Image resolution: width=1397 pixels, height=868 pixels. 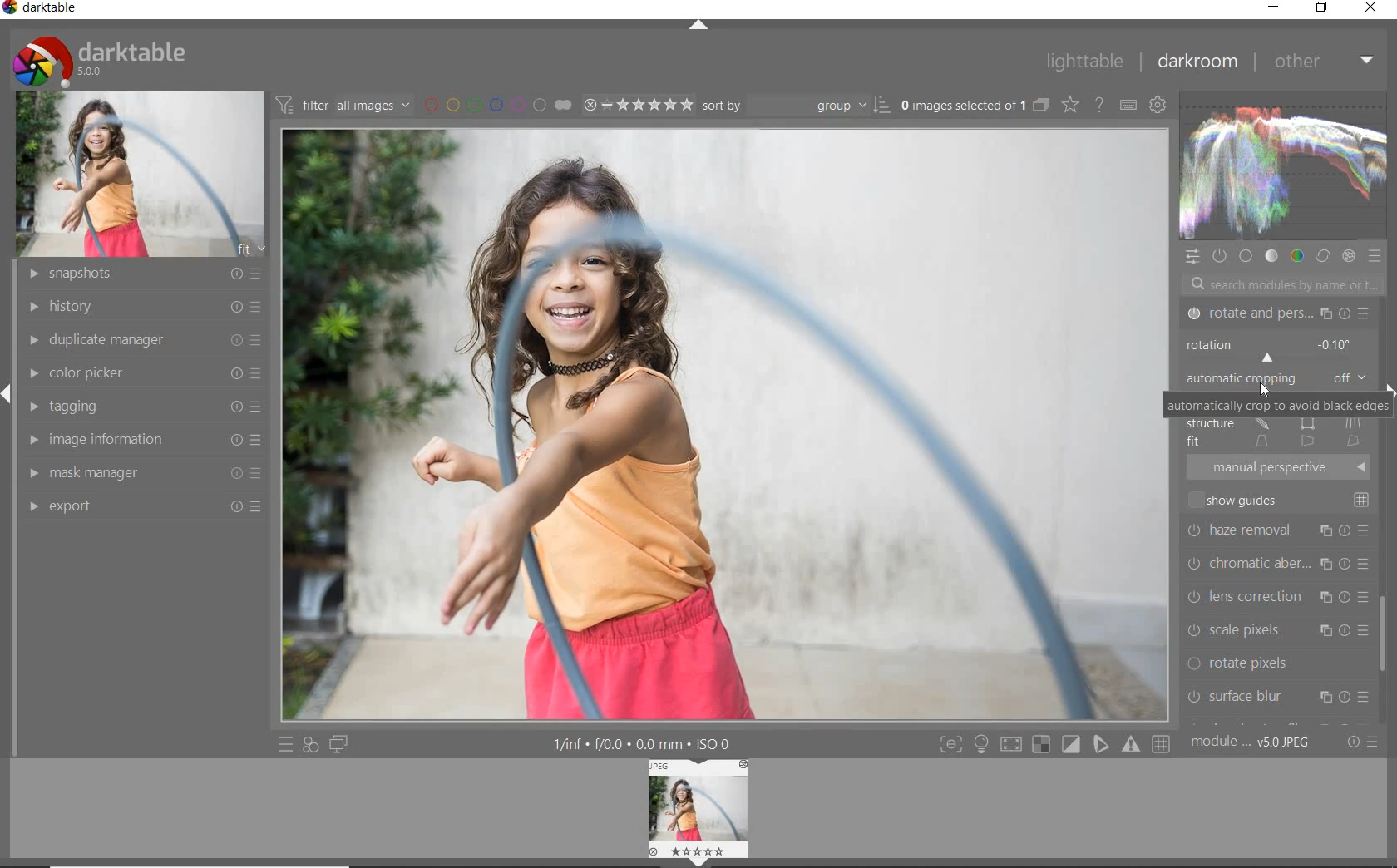 I want to click on snapshots, so click(x=141, y=275).